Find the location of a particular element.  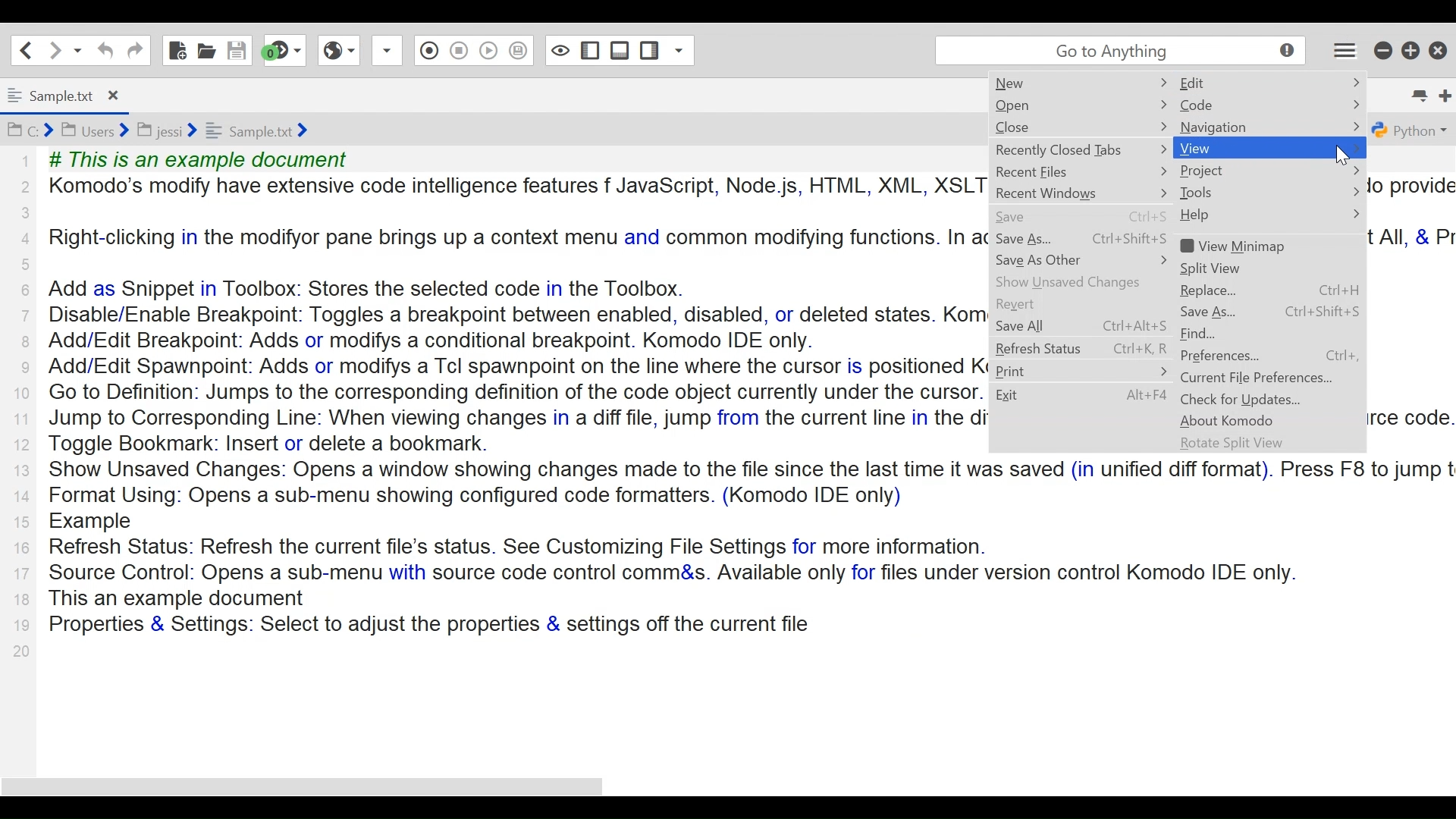

Rotate Split View is located at coordinates (1236, 444).